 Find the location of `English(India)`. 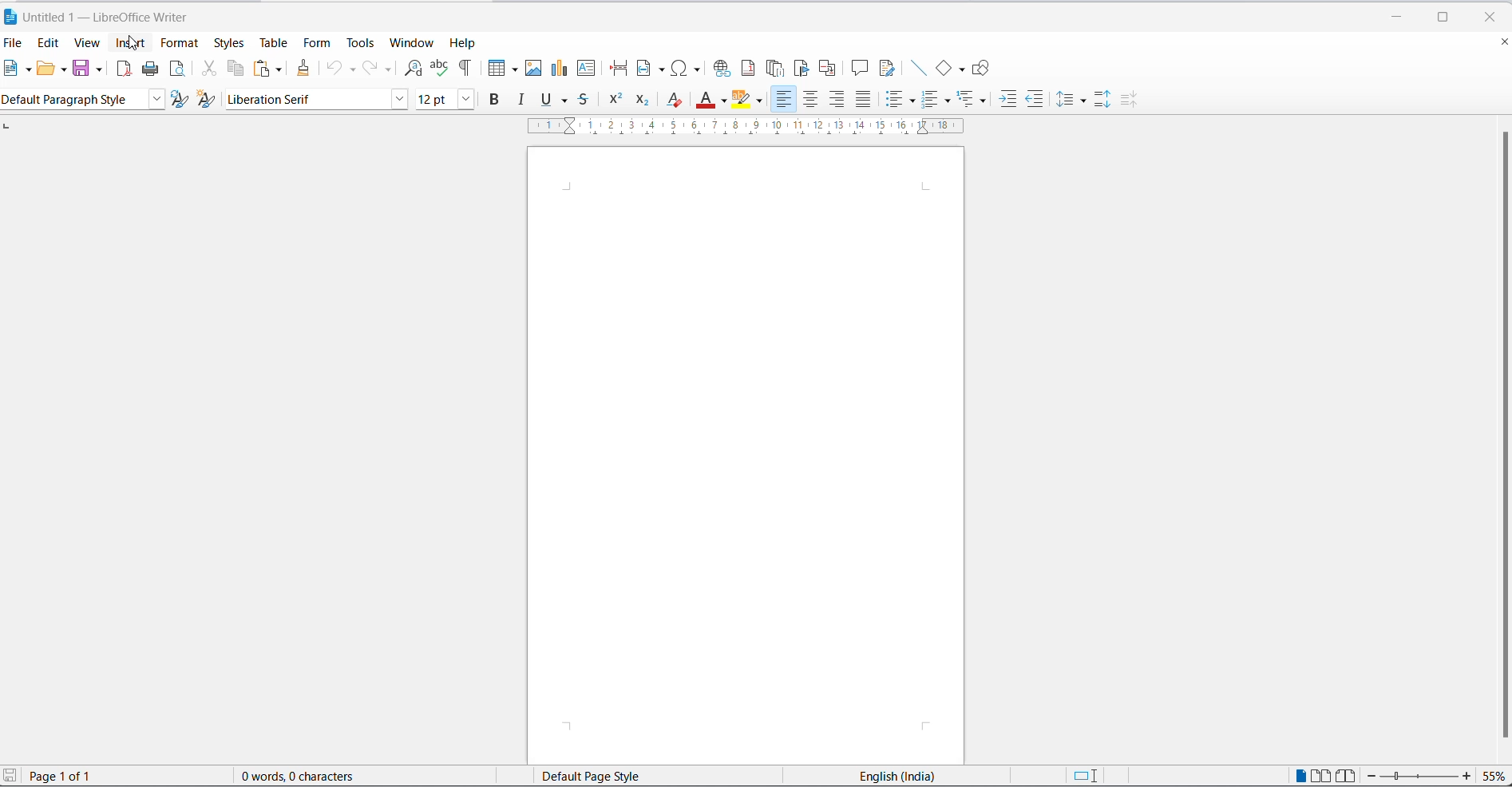

English(India) is located at coordinates (881, 775).